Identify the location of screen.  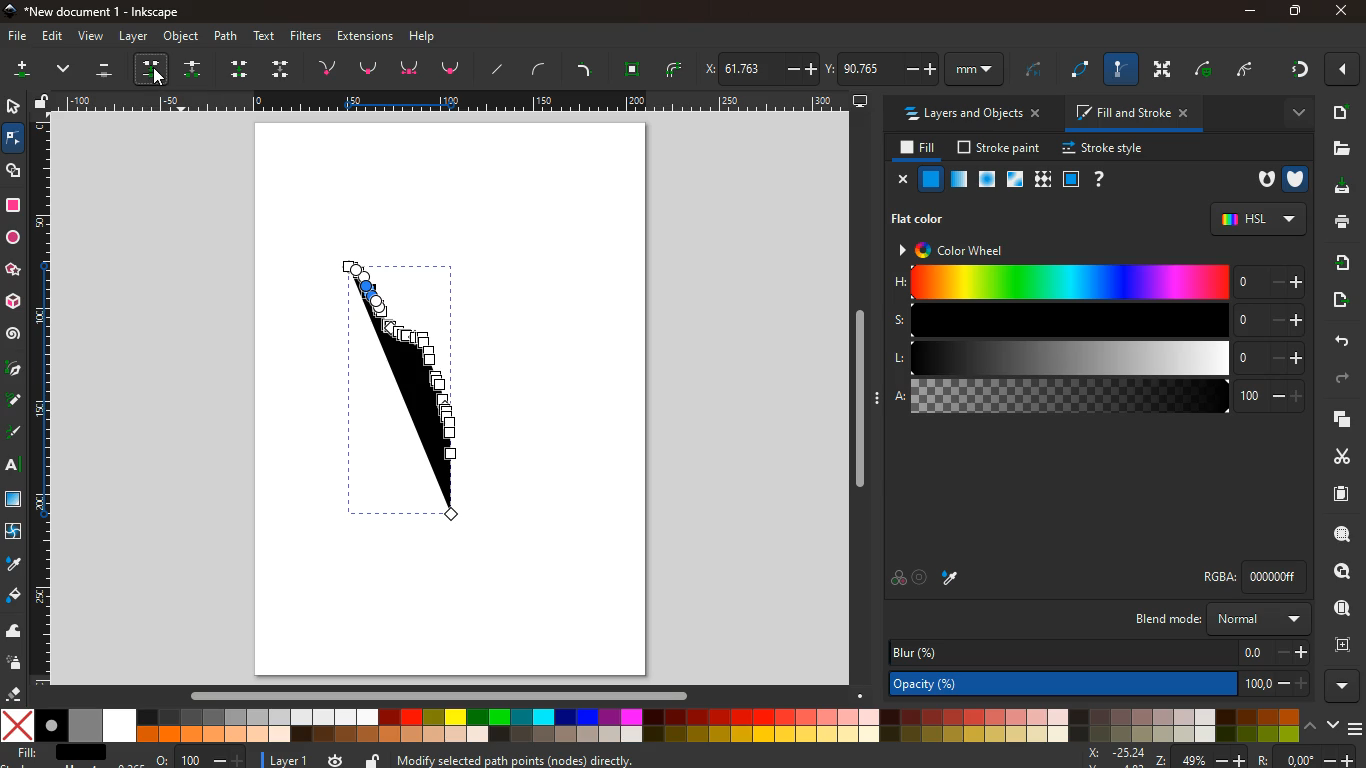
(861, 100).